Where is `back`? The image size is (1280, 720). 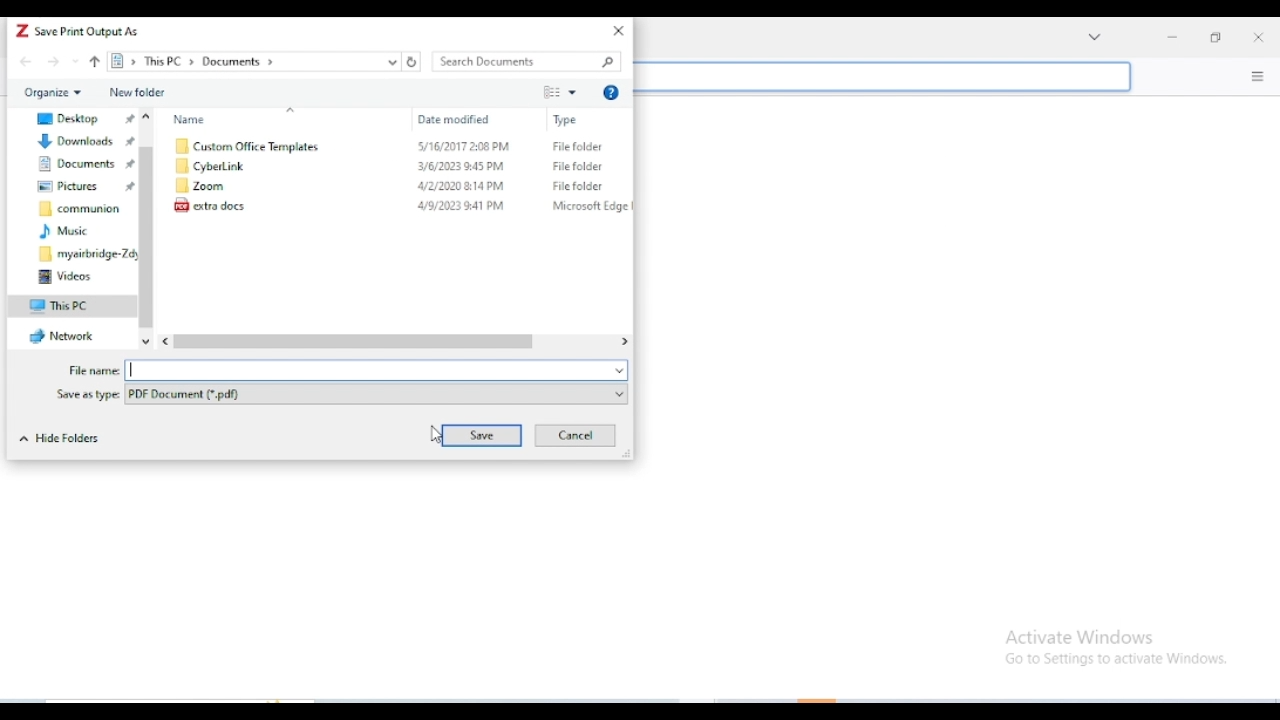 back is located at coordinates (26, 61).